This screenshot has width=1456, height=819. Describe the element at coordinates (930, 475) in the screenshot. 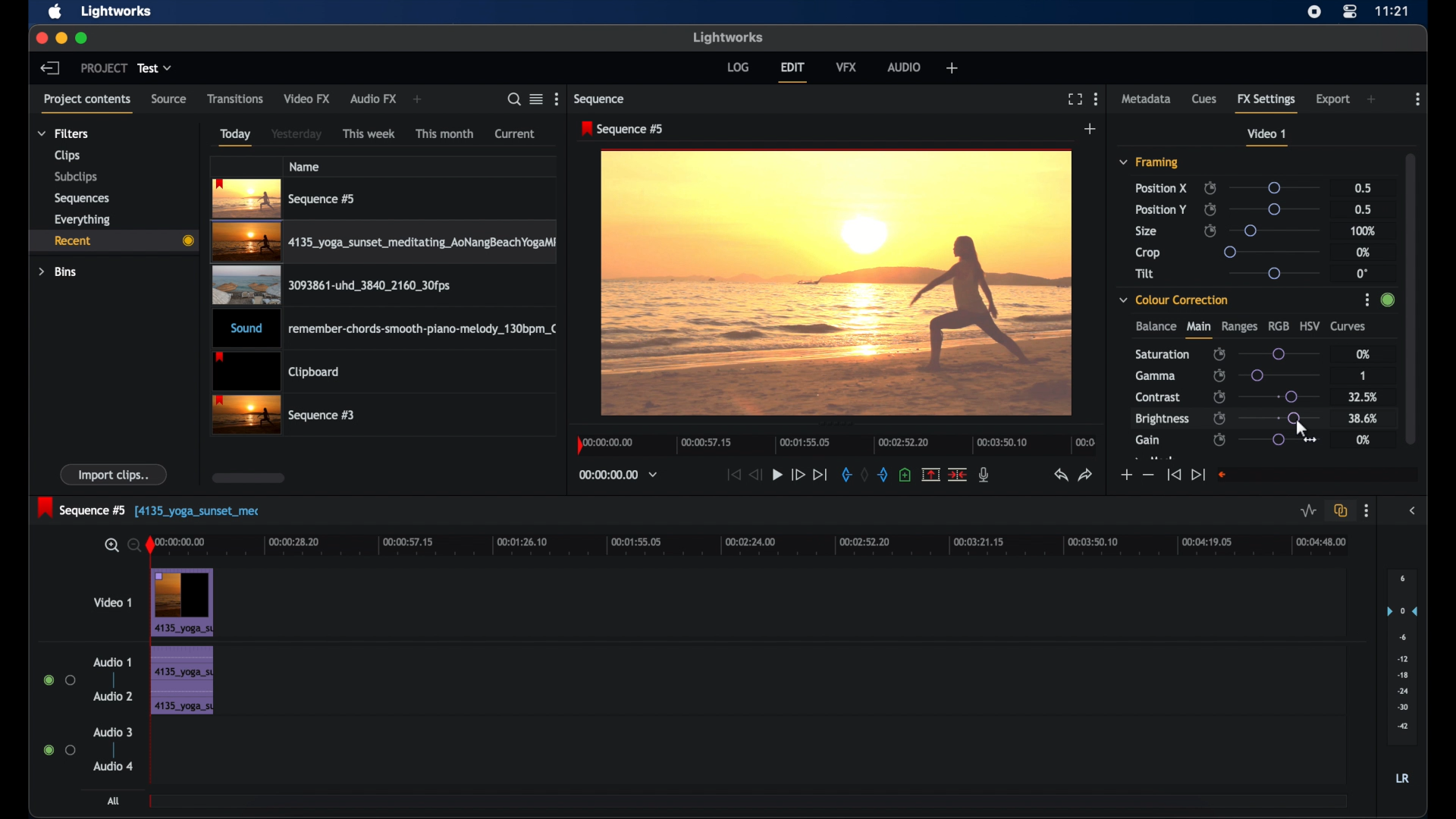

I see `remove the marked section` at that location.